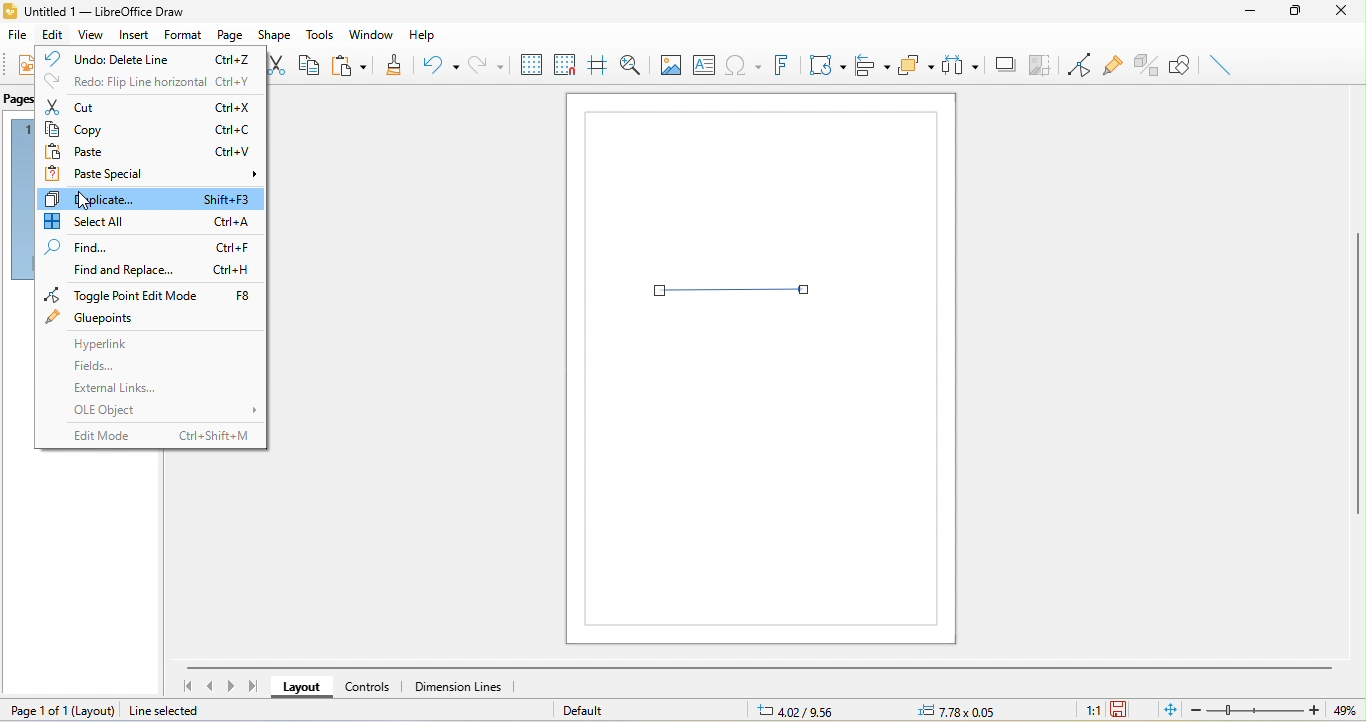 The height and width of the screenshot is (722, 1366). Describe the element at coordinates (146, 81) in the screenshot. I see `redo: flip line horizontal` at that location.